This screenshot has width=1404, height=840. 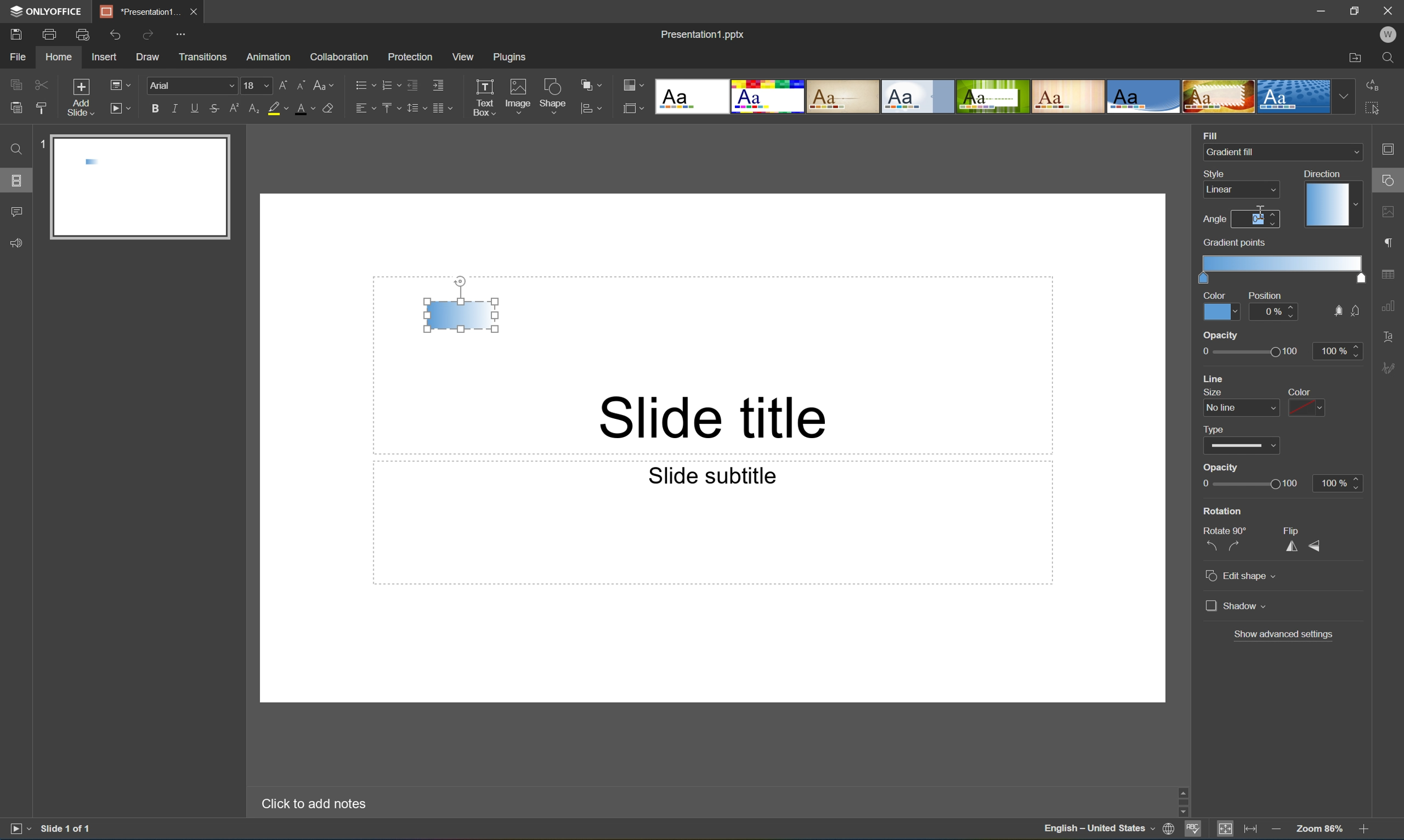 What do you see at coordinates (149, 57) in the screenshot?
I see `Draw` at bounding box center [149, 57].